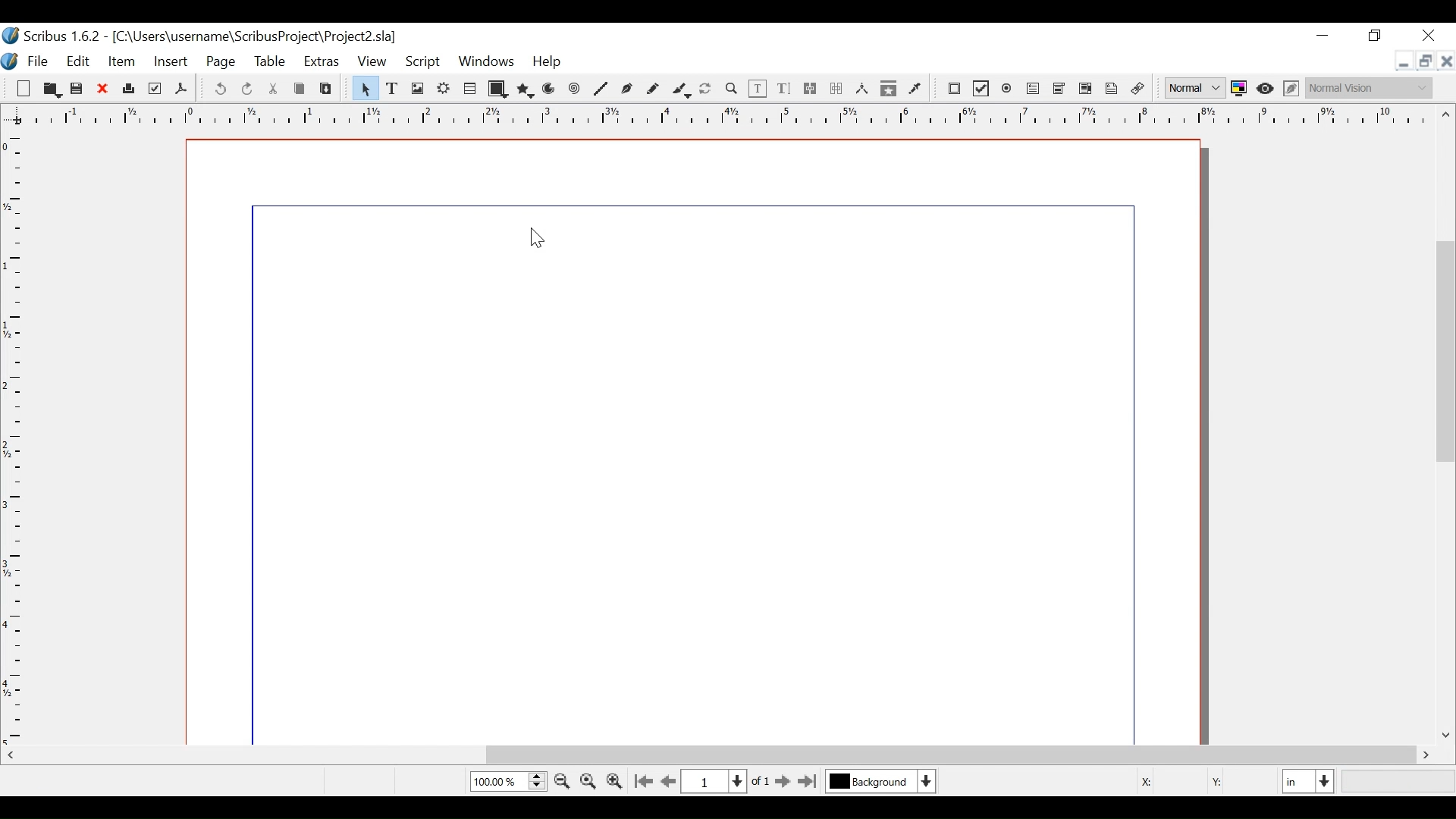  What do you see at coordinates (104, 89) in the screenshot?
I see `Close` at bounding box center [104, 89].